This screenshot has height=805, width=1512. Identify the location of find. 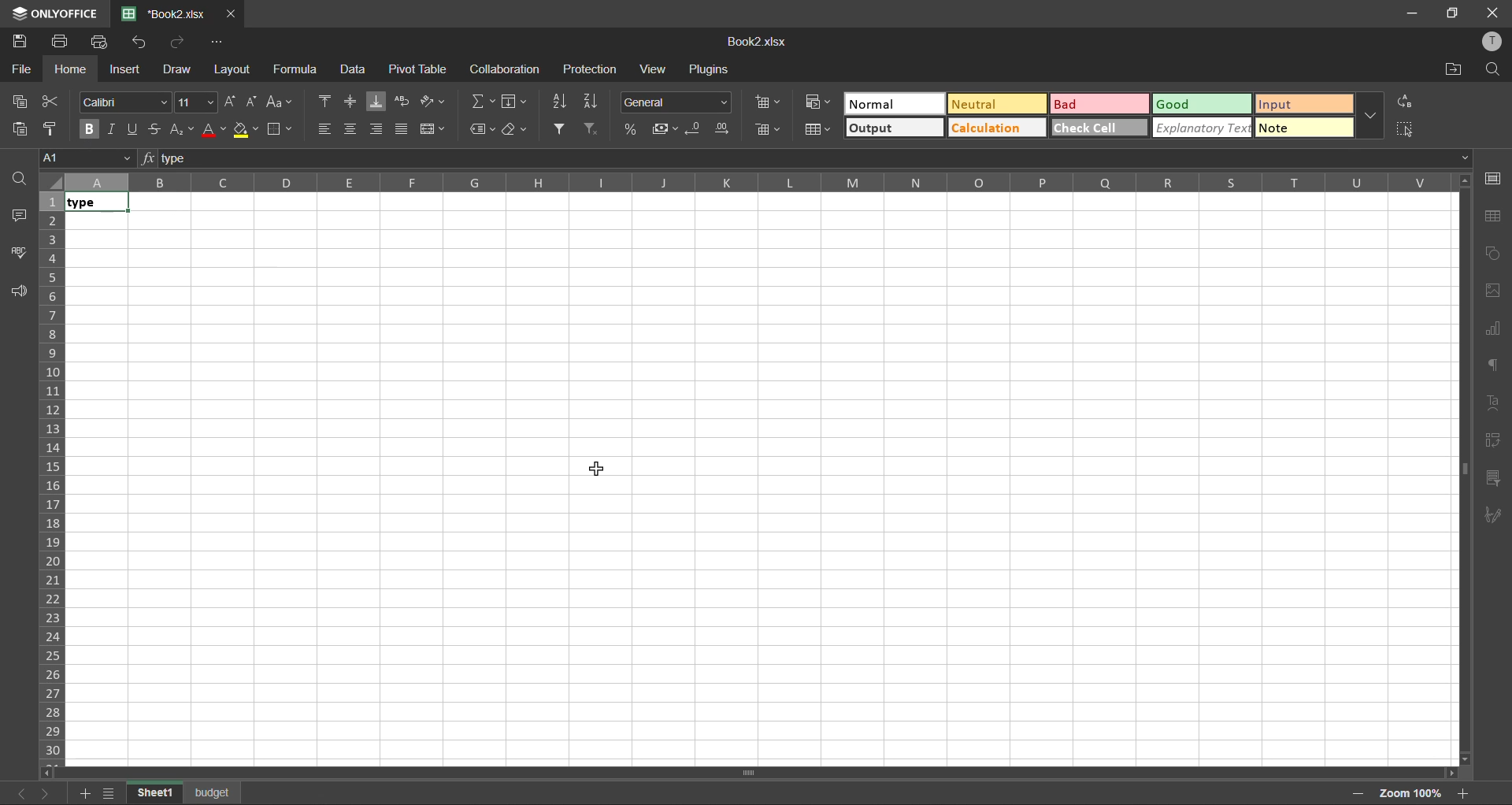
(1496, 70).